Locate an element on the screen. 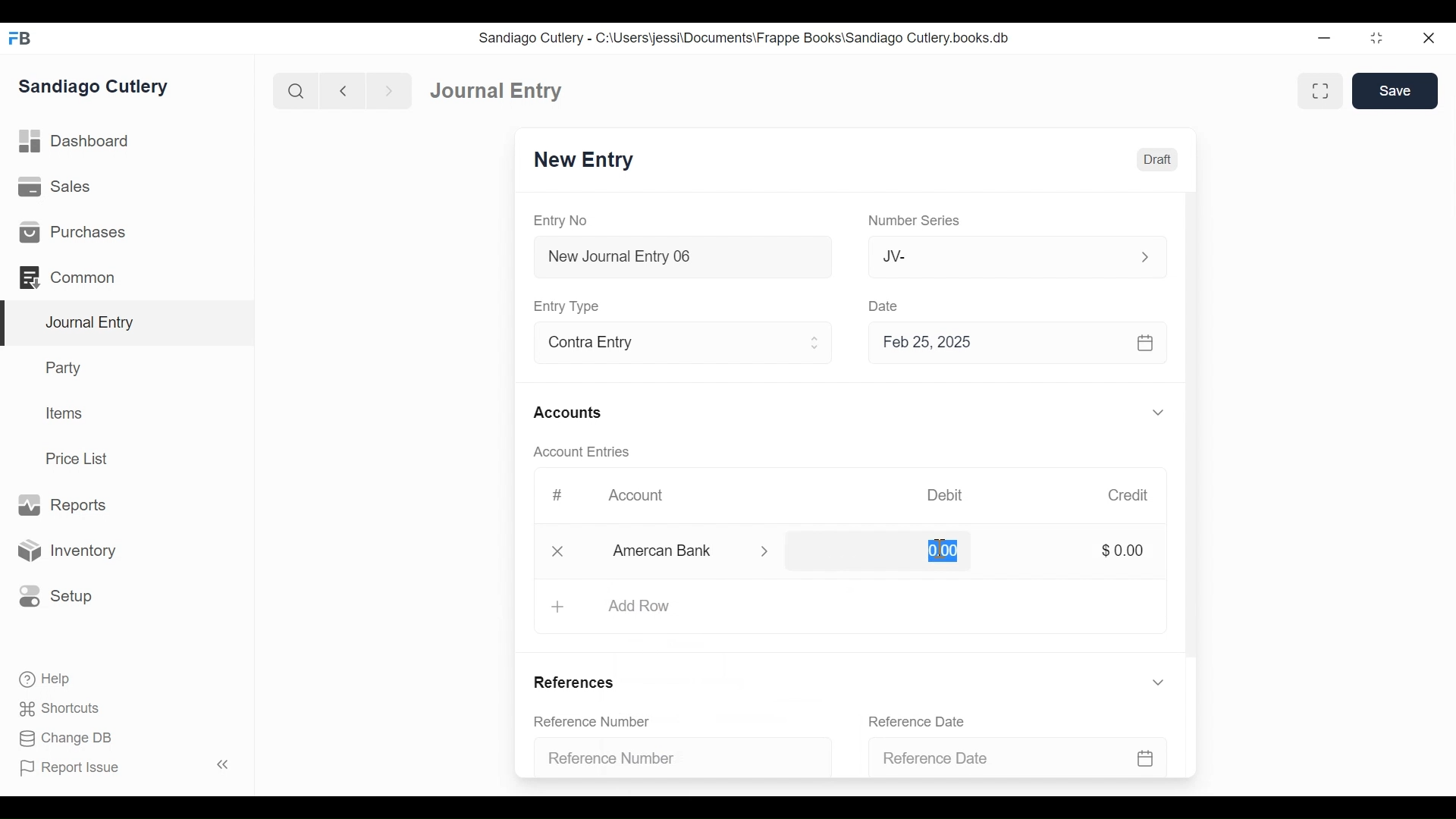 The width and height of the screenshot is (1456, 819). Draft is located at coordinates (1157, 160).